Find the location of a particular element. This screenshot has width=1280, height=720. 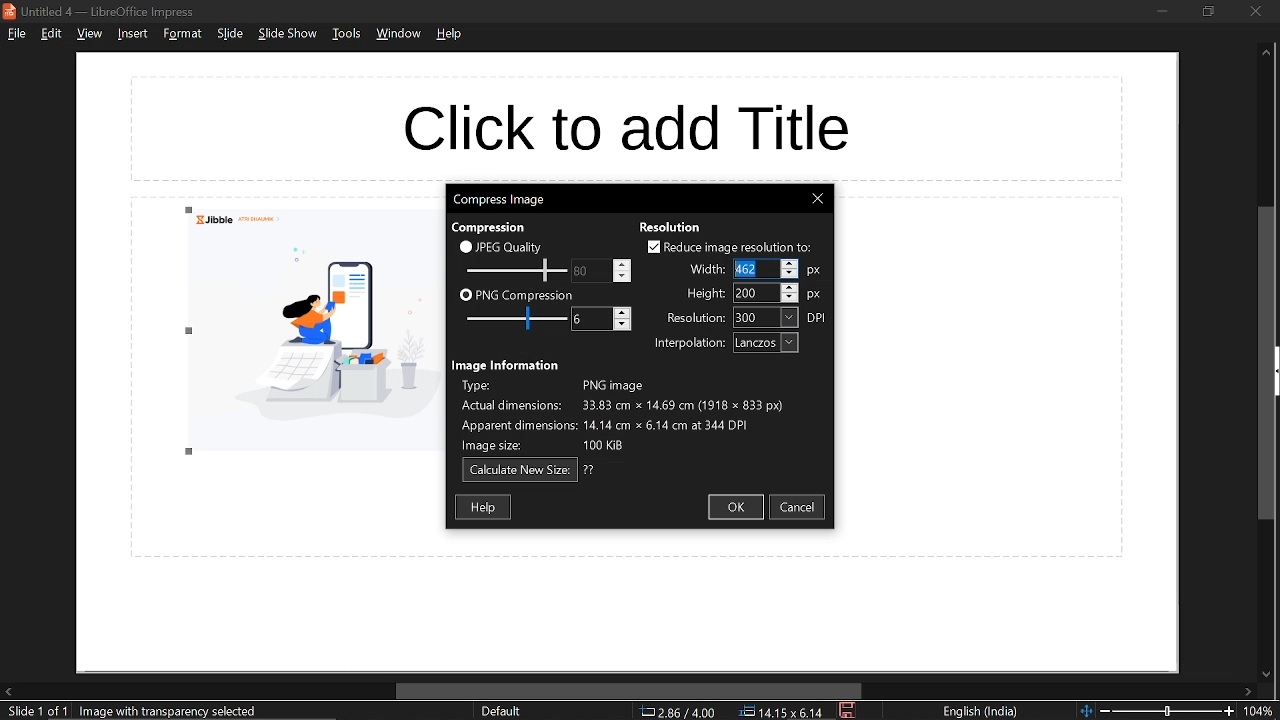

view is located at coordinates (89, 35).